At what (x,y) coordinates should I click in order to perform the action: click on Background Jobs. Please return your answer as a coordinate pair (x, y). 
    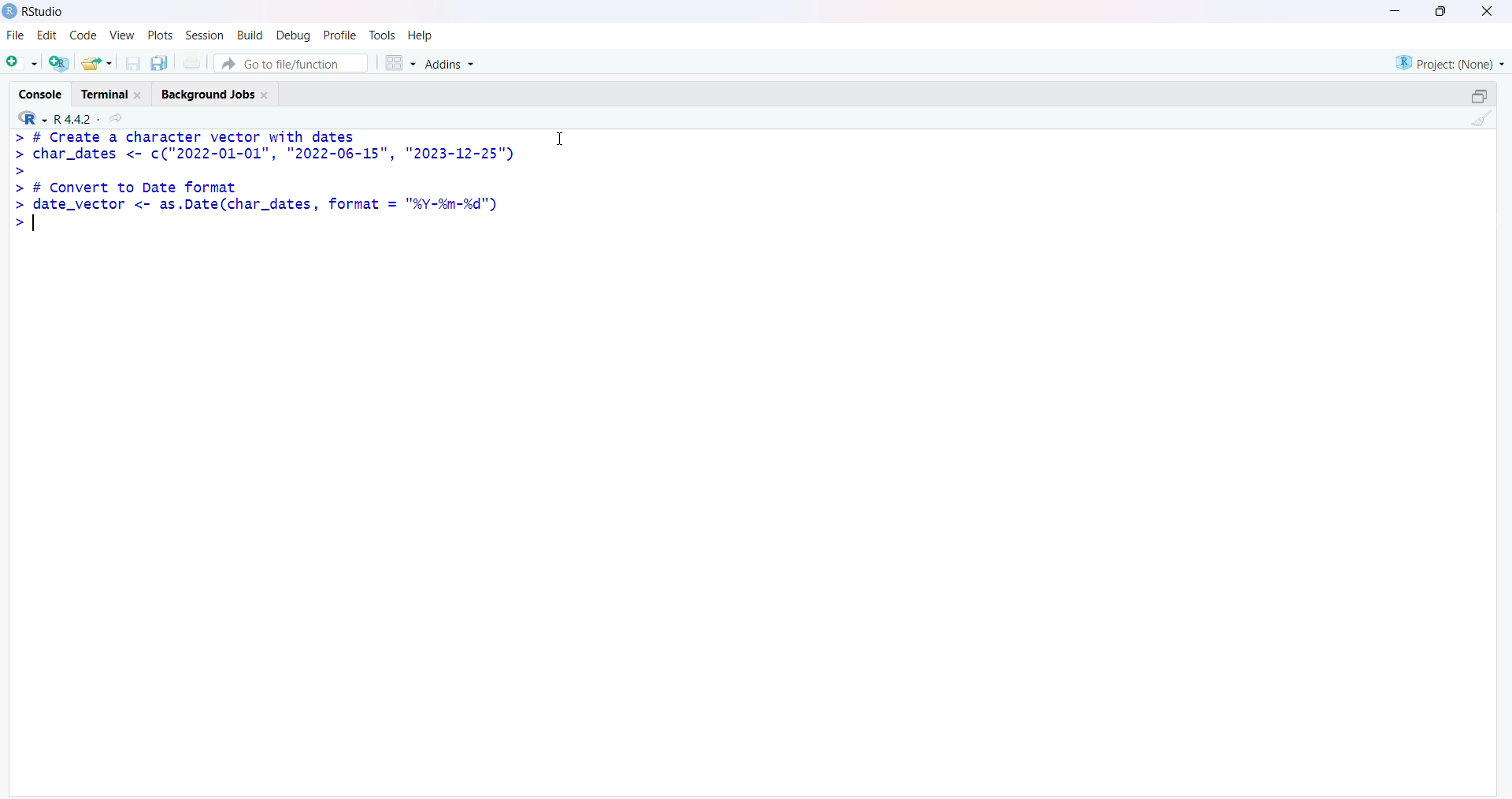
    Looking at the image, I should click on (220, 92).